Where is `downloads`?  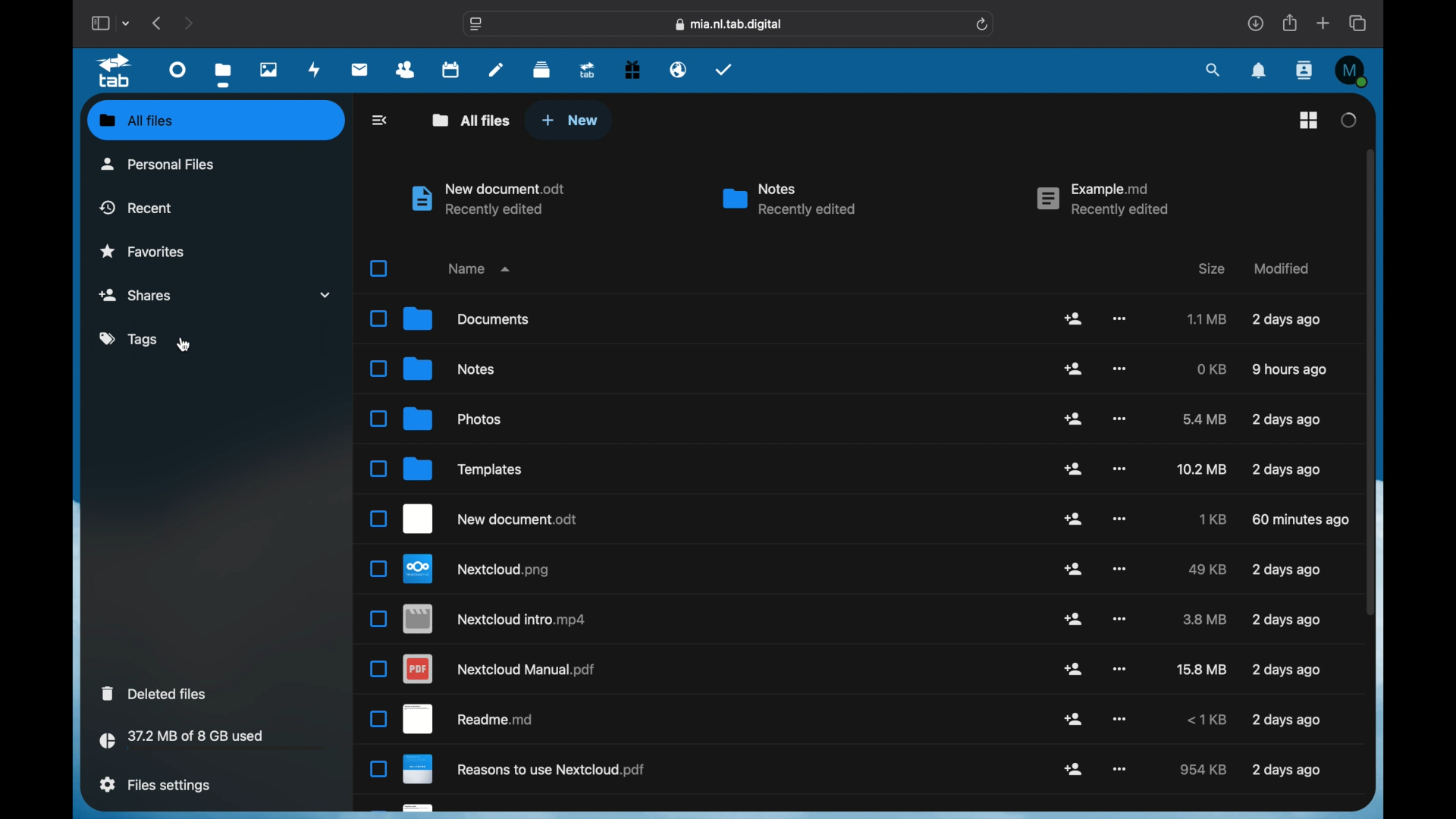
downloads is located at coordinates (1256, 23).